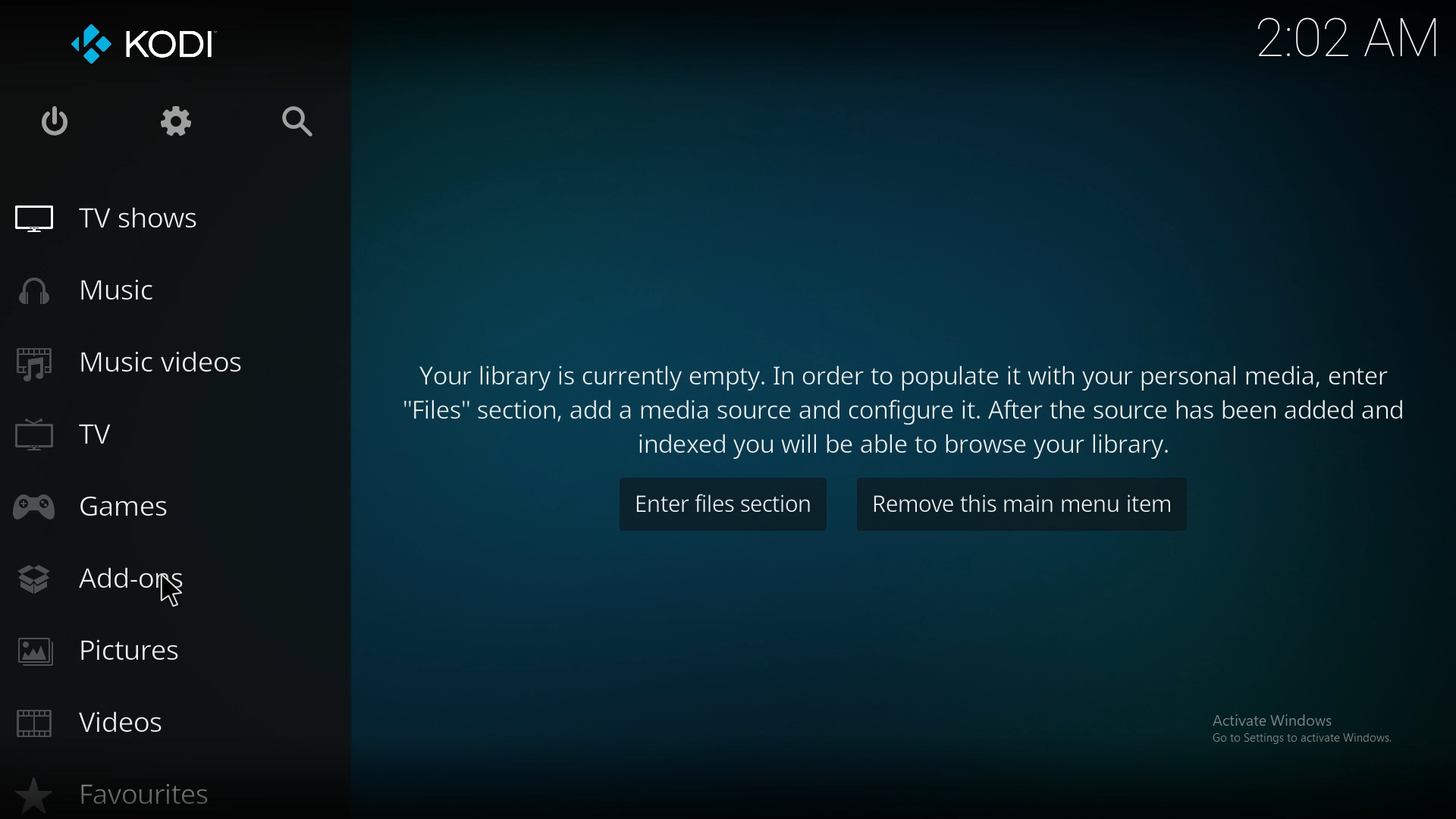  What do you see at coordinates (88, 46) in the screenshot?
I see `logo` at bounding box center [88, 46].